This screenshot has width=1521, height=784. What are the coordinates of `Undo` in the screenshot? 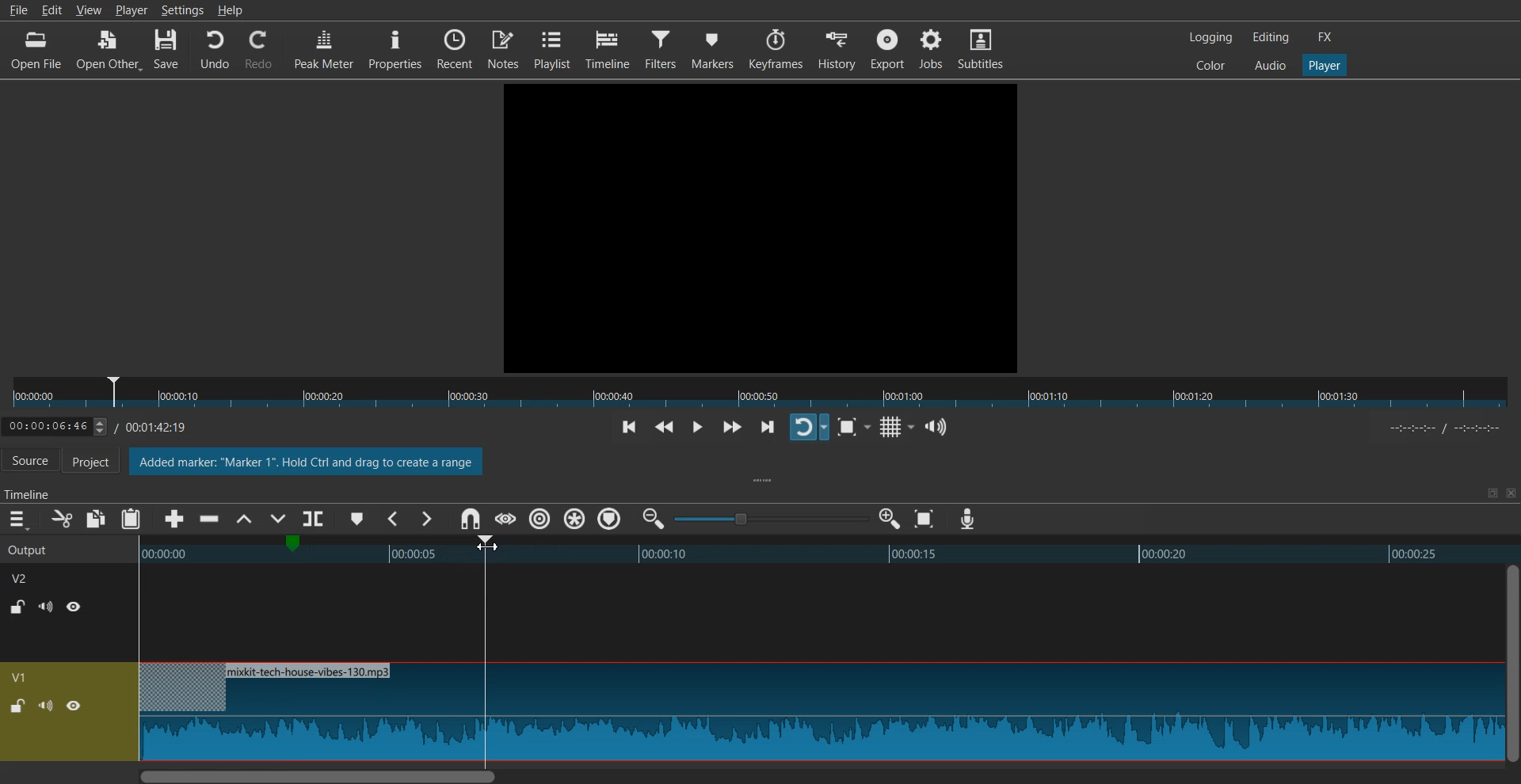 It's located at (215, 50).